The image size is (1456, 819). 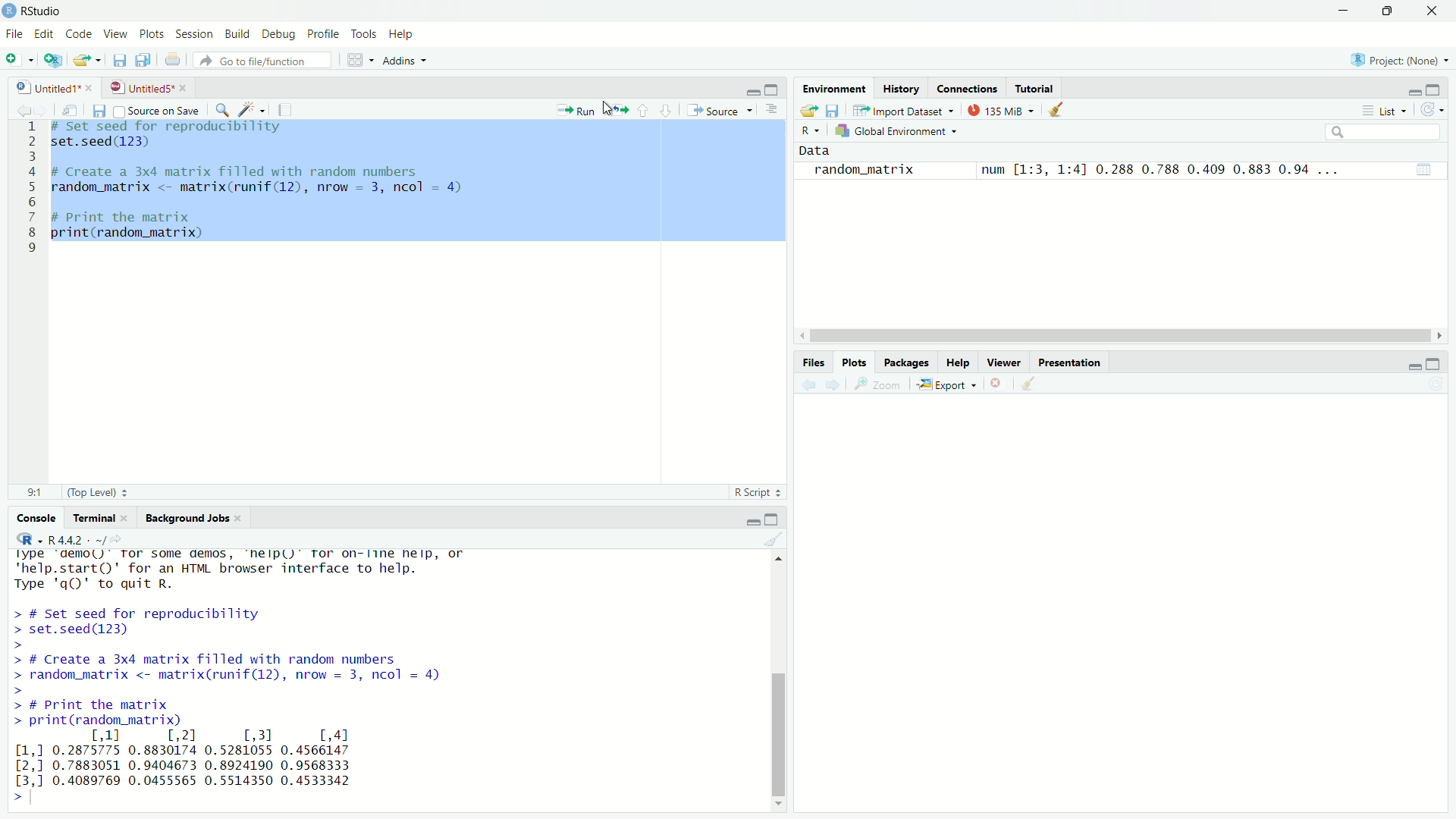 What do you see at coordinates (1439, 364) in the screenshot?
I see `maximise` at bounding box center [1439, 364].